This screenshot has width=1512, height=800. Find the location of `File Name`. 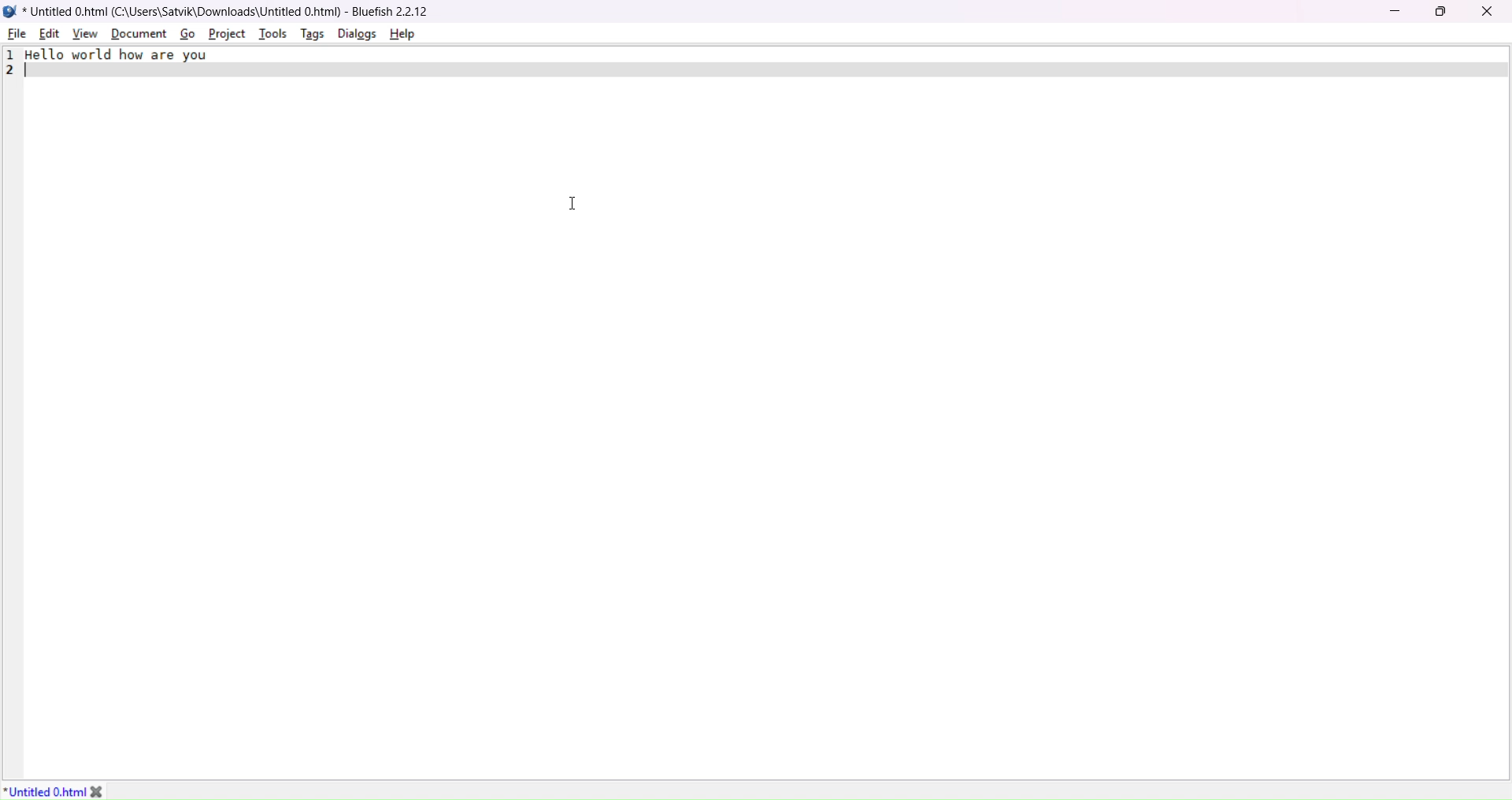

File Name is located at coordinates (44, 791).